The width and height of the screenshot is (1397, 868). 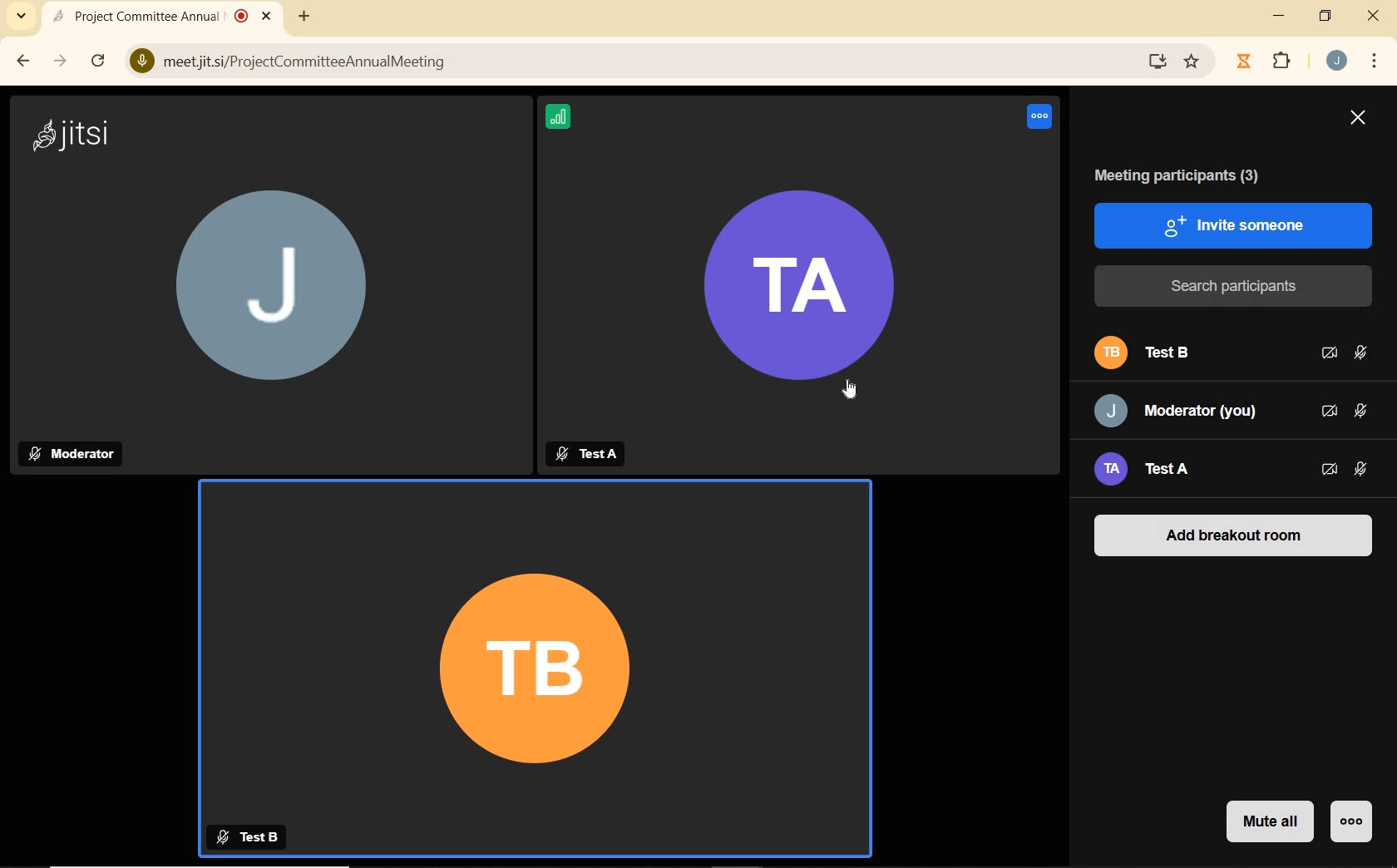 What do you see at coordinates (1374, 17) in the screenshot?
I see `CLOSE` at bounding box center [1374, 17].